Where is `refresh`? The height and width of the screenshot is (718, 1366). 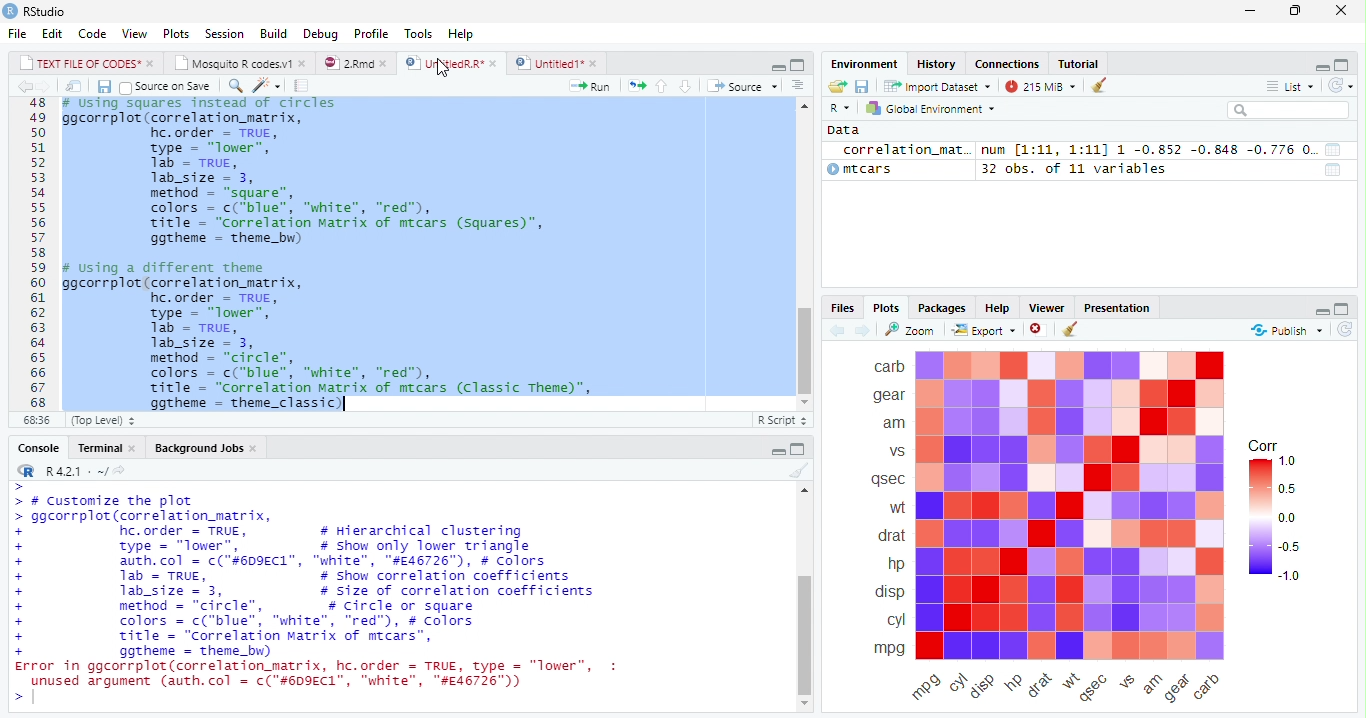
refresh is located at coordinates (1346, 332).